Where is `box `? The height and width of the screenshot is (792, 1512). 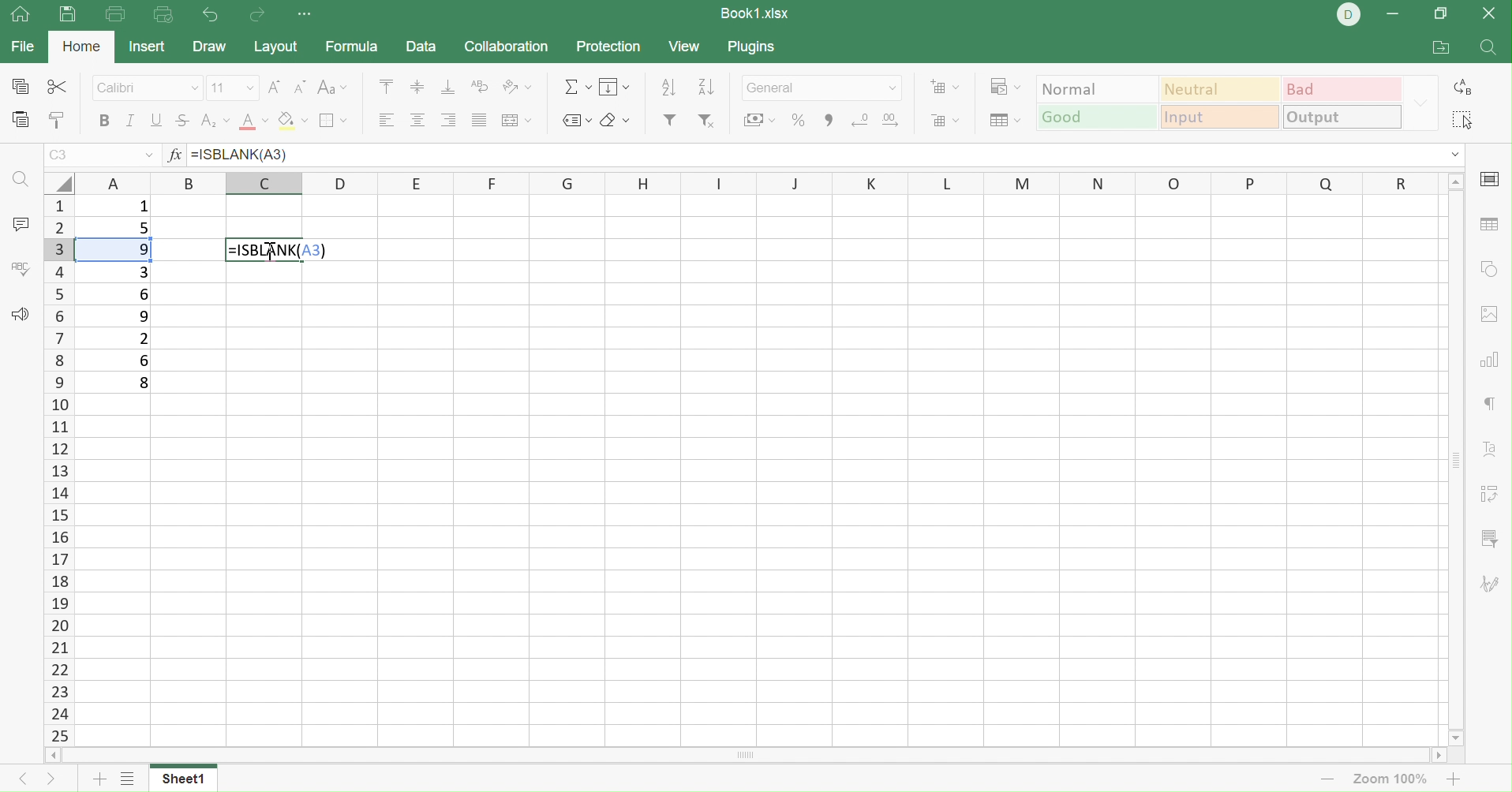
box  is located at coordinates (113, 251).